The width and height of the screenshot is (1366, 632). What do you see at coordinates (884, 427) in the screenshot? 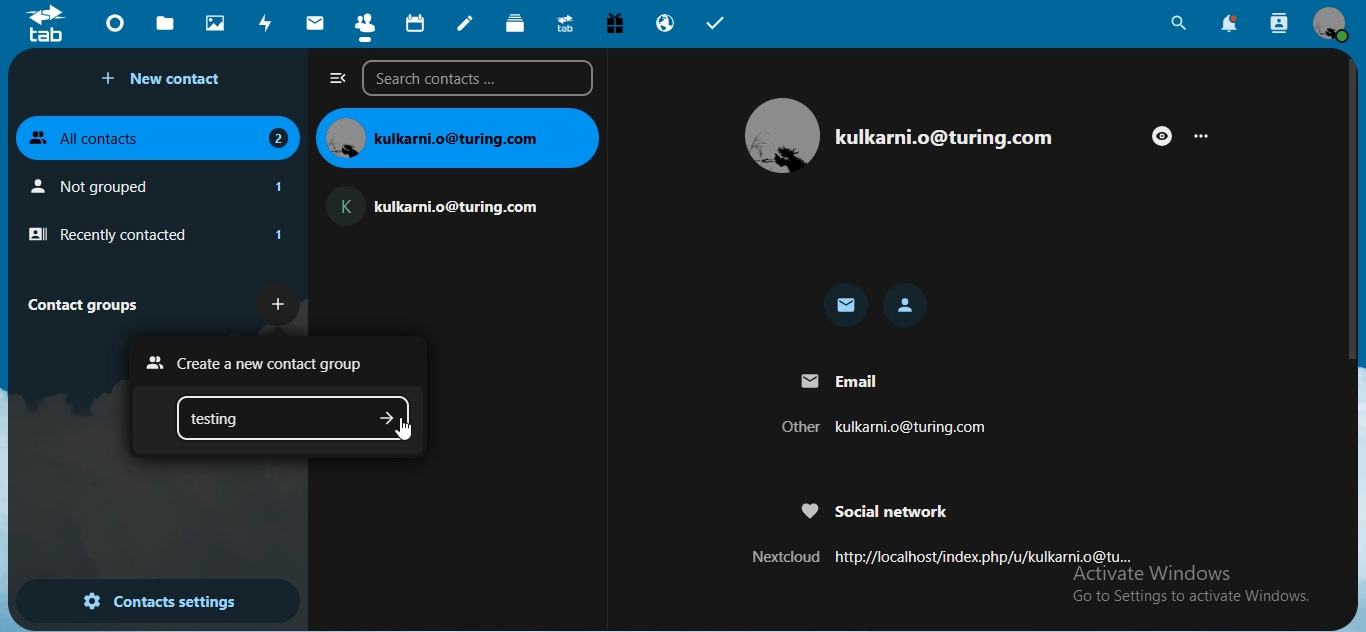
I see `Other  kulkarni.o@turing.com` at bounding box center [884, 427].